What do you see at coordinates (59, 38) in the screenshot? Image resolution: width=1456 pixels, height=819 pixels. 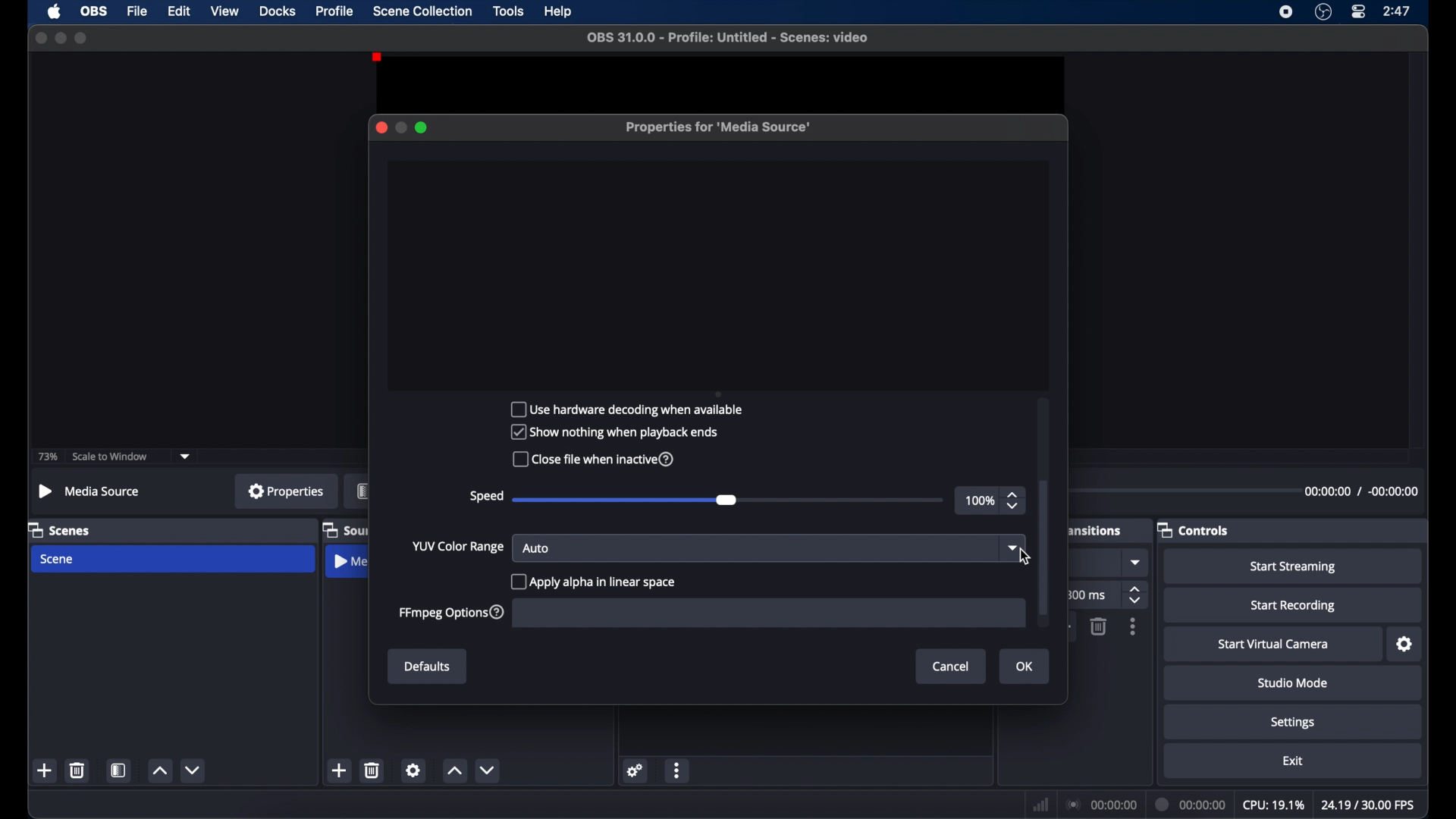 I see `minimize` at bounding box center [59, 38].